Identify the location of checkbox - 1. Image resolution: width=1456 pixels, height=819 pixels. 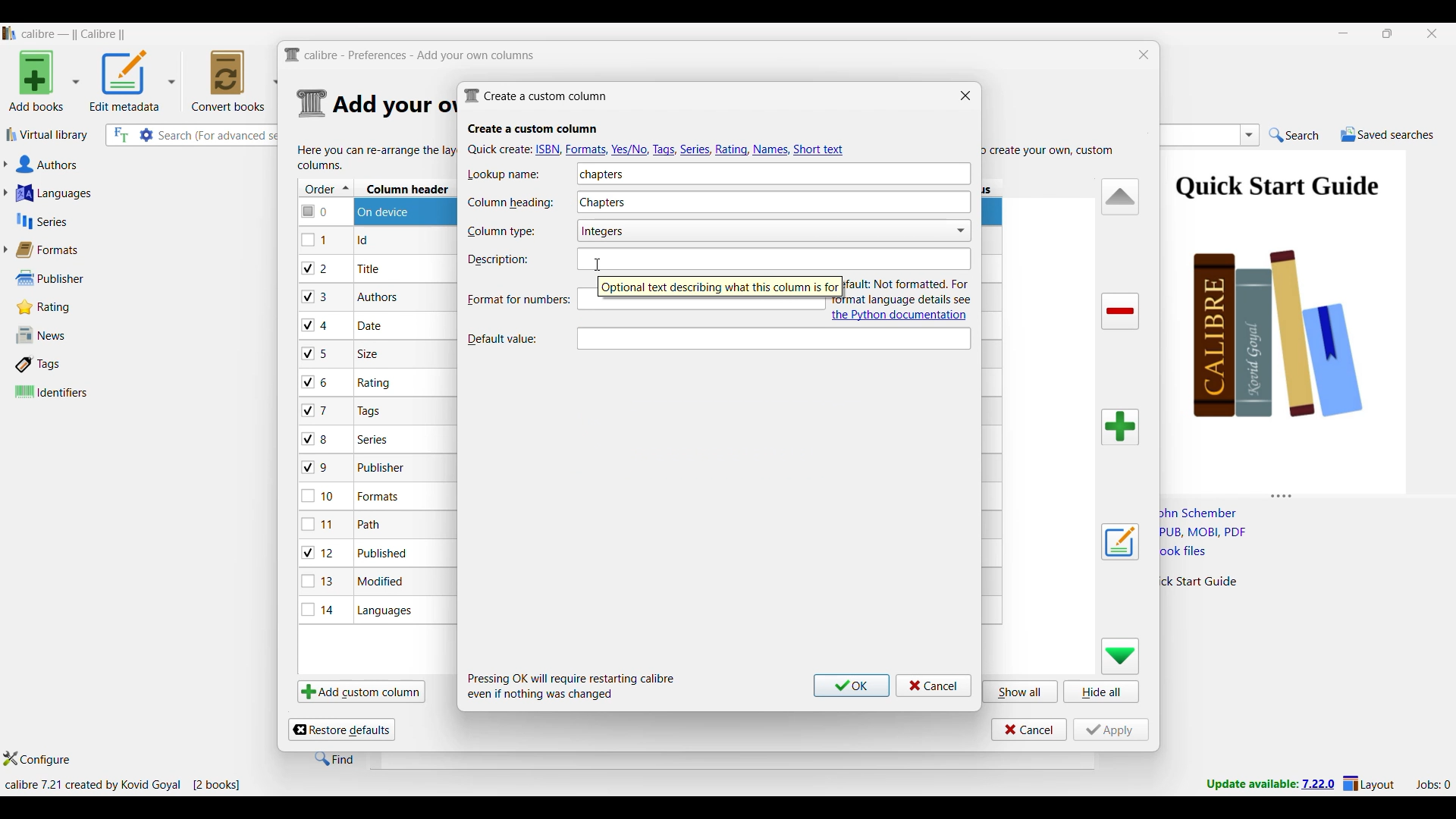
(316, 240).